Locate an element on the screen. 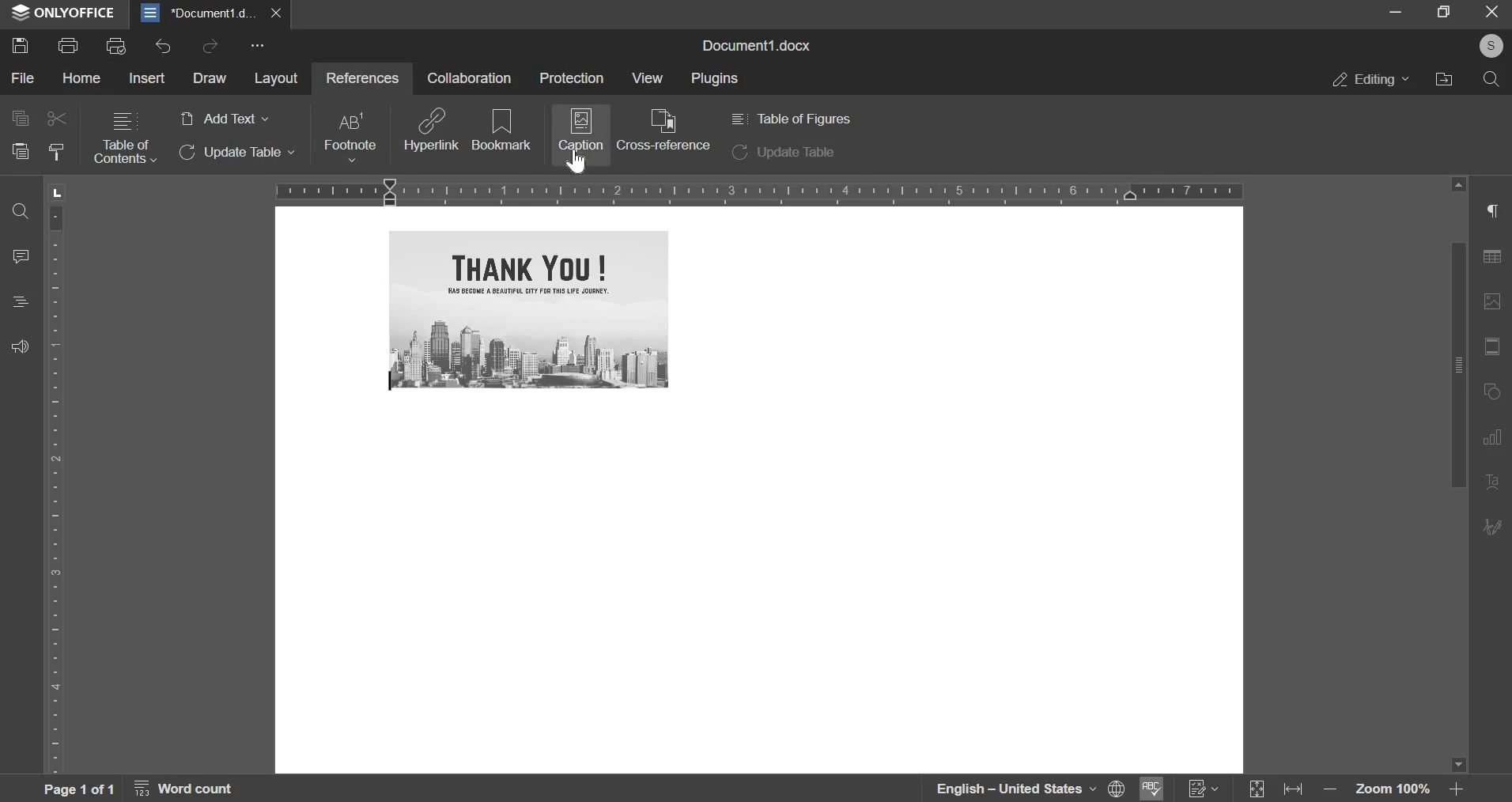 The image size is (1512, 802). Expand is located at coordinates (1258, 790).